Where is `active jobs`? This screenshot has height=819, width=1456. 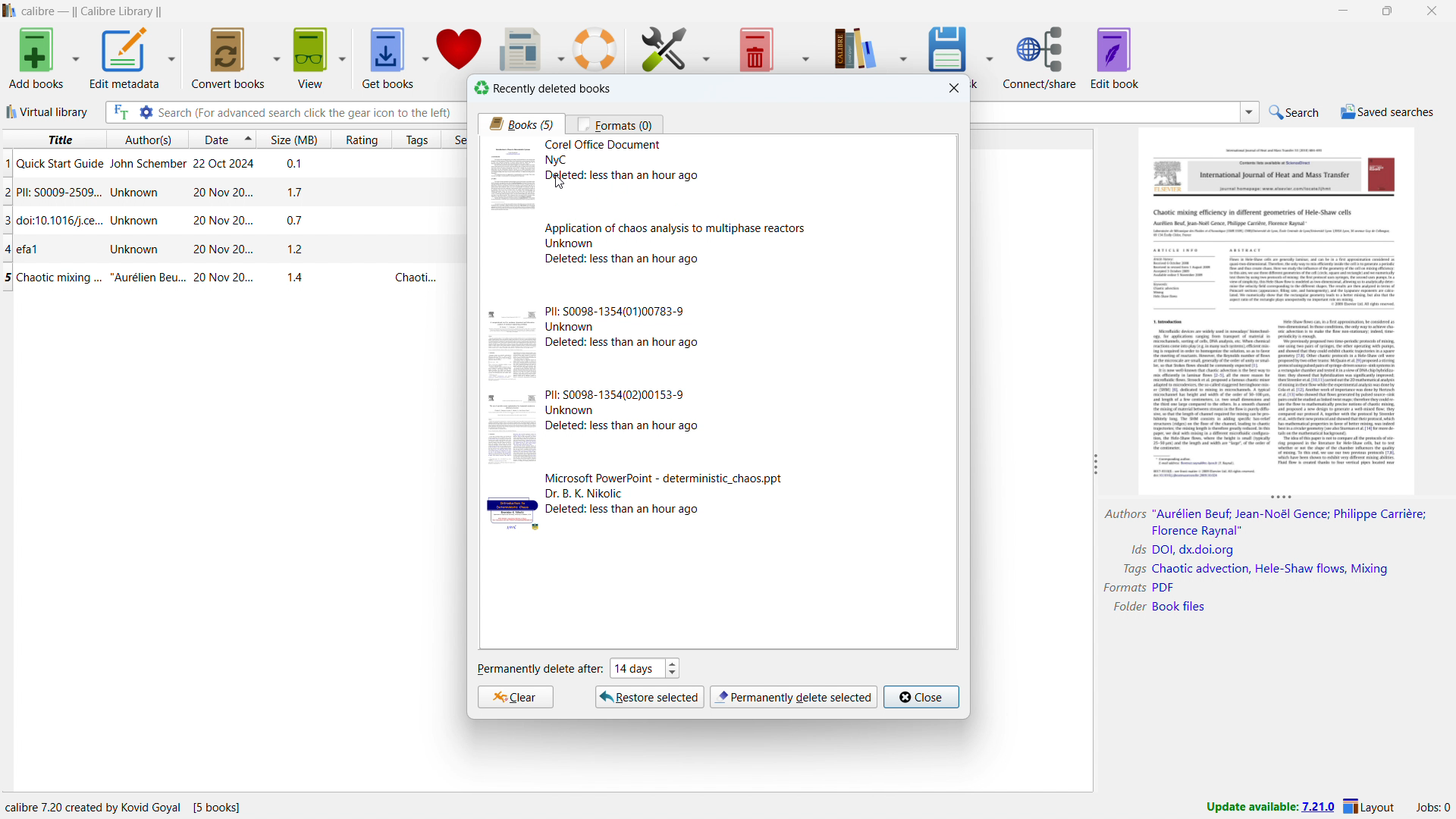 active jobs is located at coordinates (1432, 808).